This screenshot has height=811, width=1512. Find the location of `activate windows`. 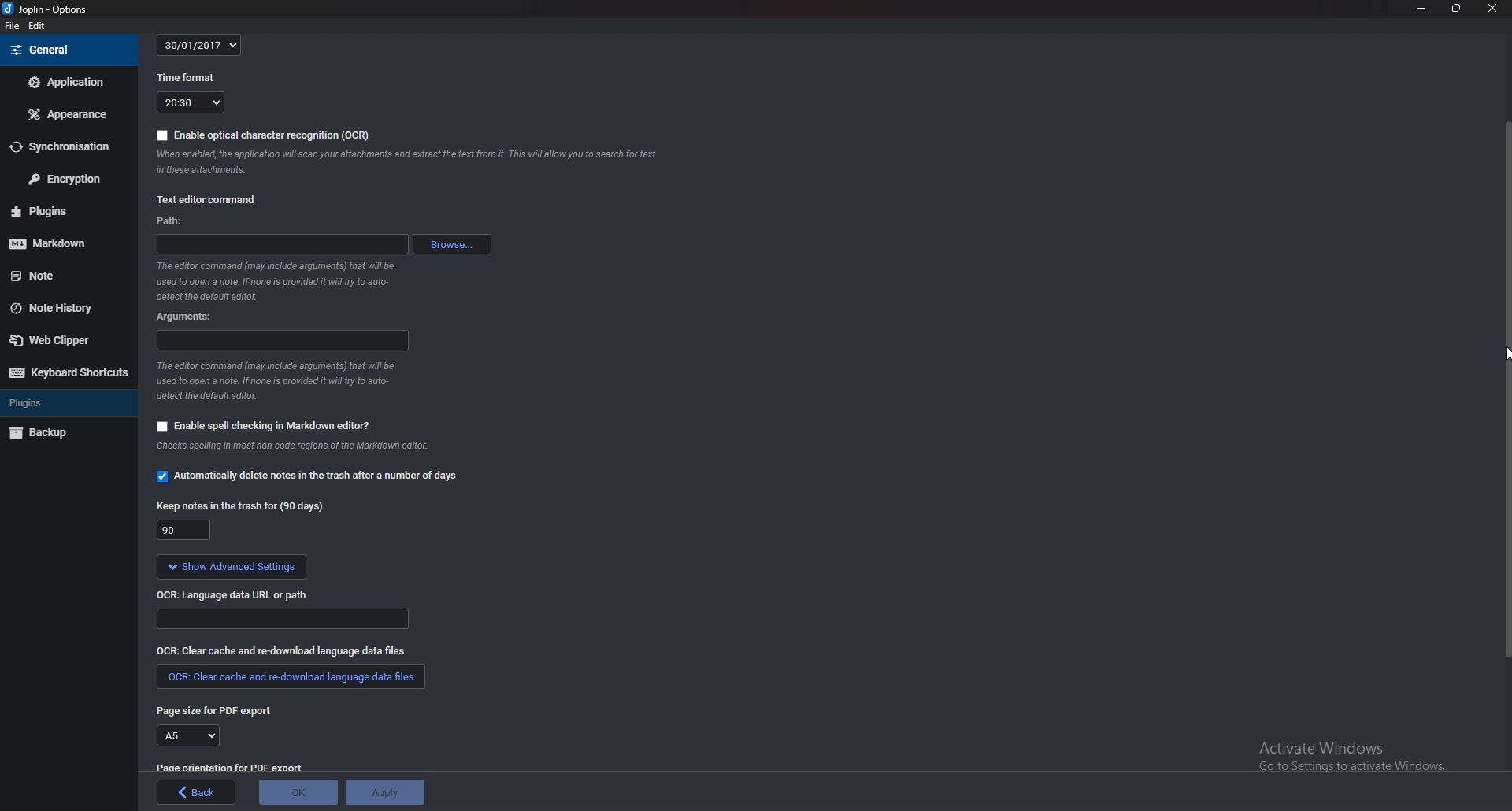

activate windows is located at coordinates (1358, 760).